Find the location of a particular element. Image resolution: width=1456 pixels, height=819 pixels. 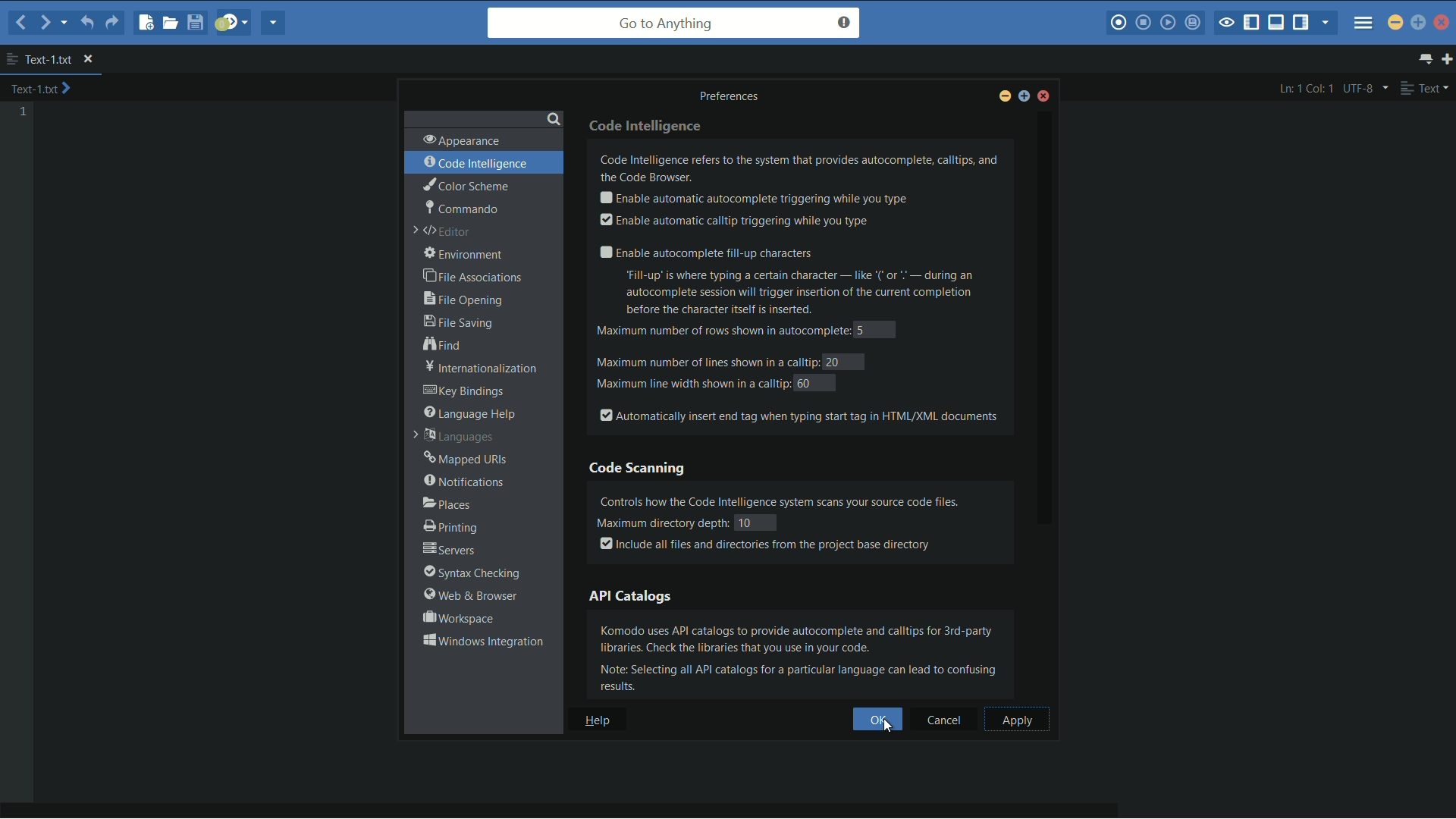

editor is located at coordinates (444, 232).